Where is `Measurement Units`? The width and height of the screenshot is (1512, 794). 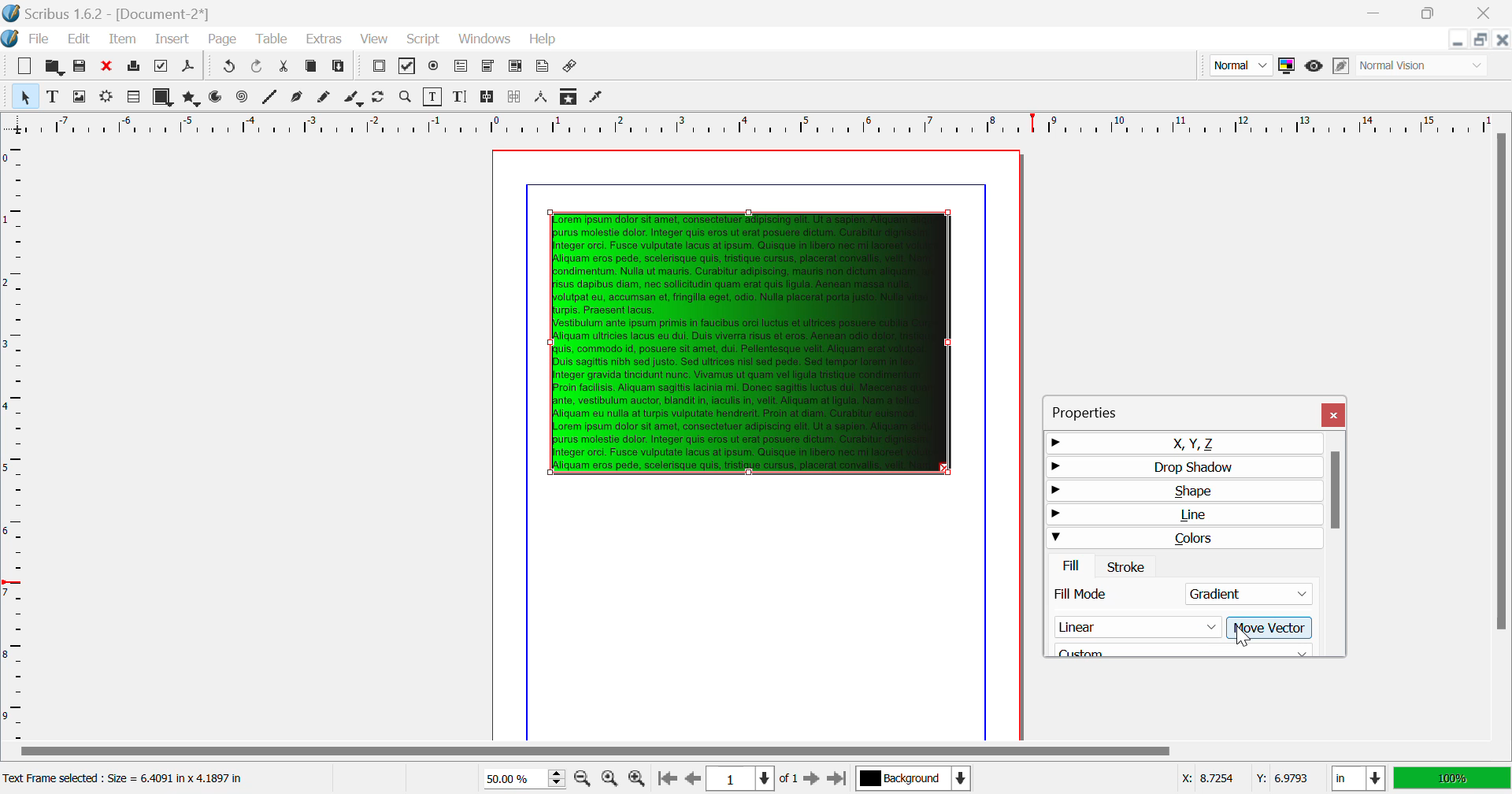
Measurement Units is located at coordinates (1359, 780).